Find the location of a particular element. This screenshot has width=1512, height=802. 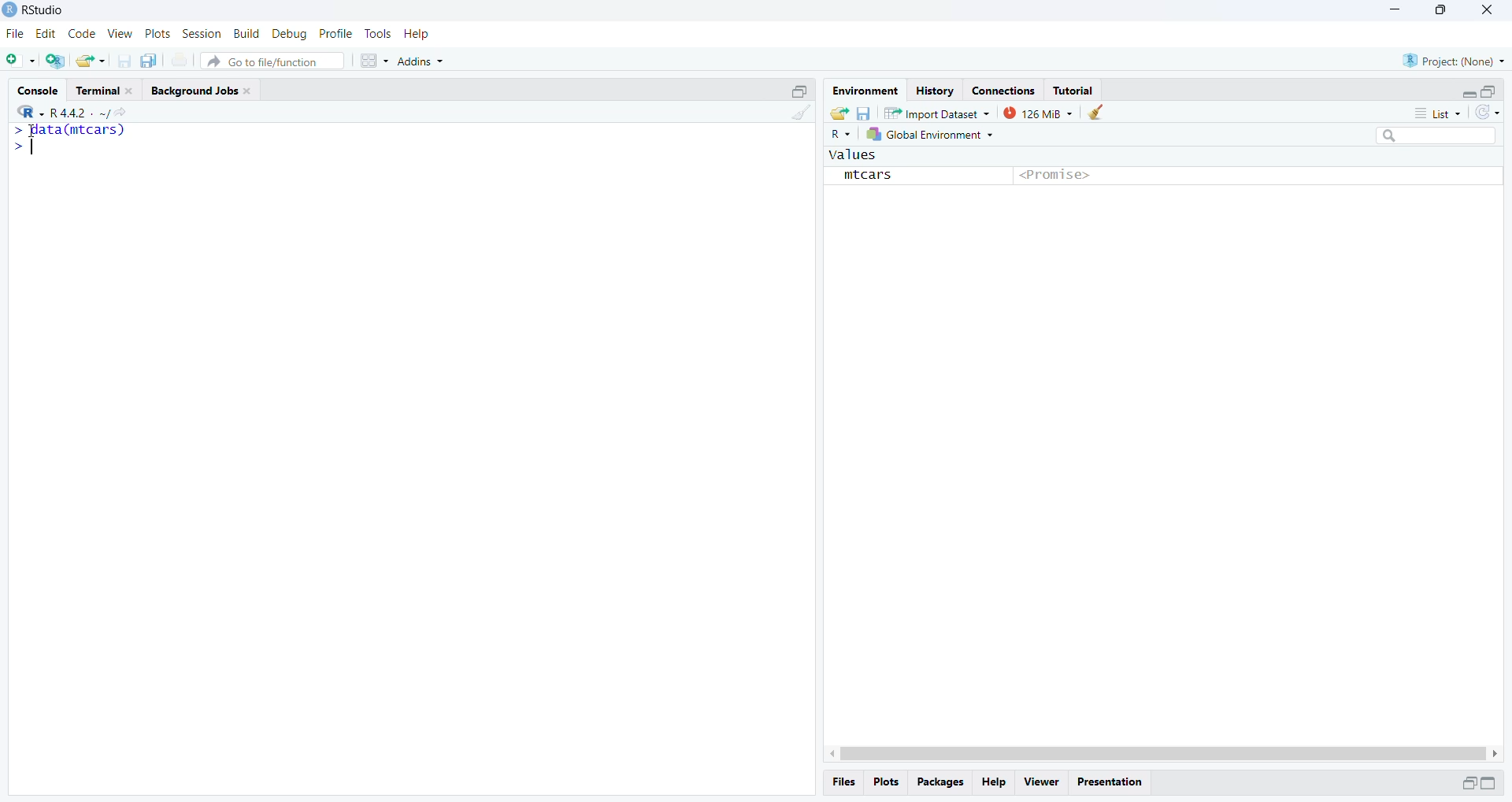

clear console is located at coordinates (799, 112).